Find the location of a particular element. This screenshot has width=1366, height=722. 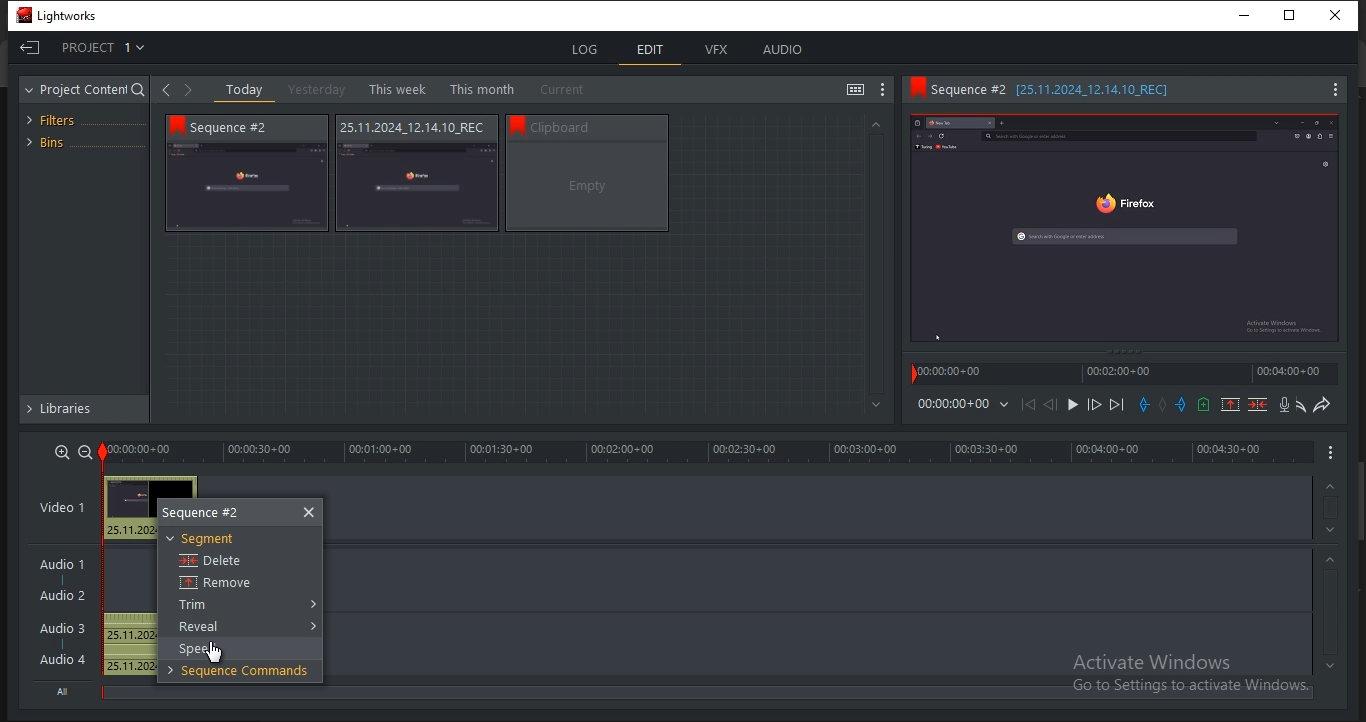

Preview thumbnail is located at coordinates (130, 497).